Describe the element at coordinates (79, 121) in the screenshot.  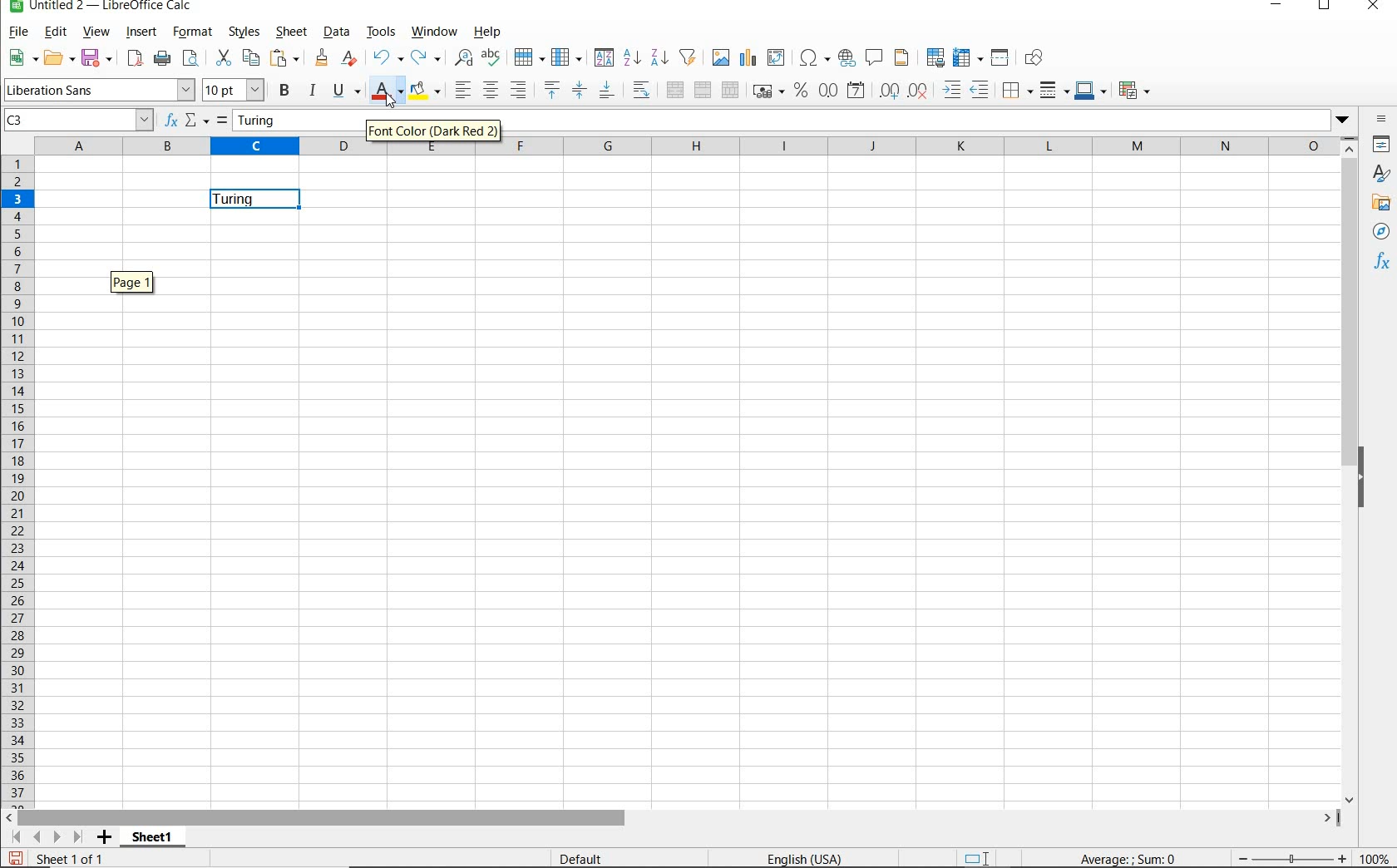
I see `C3` at that location.